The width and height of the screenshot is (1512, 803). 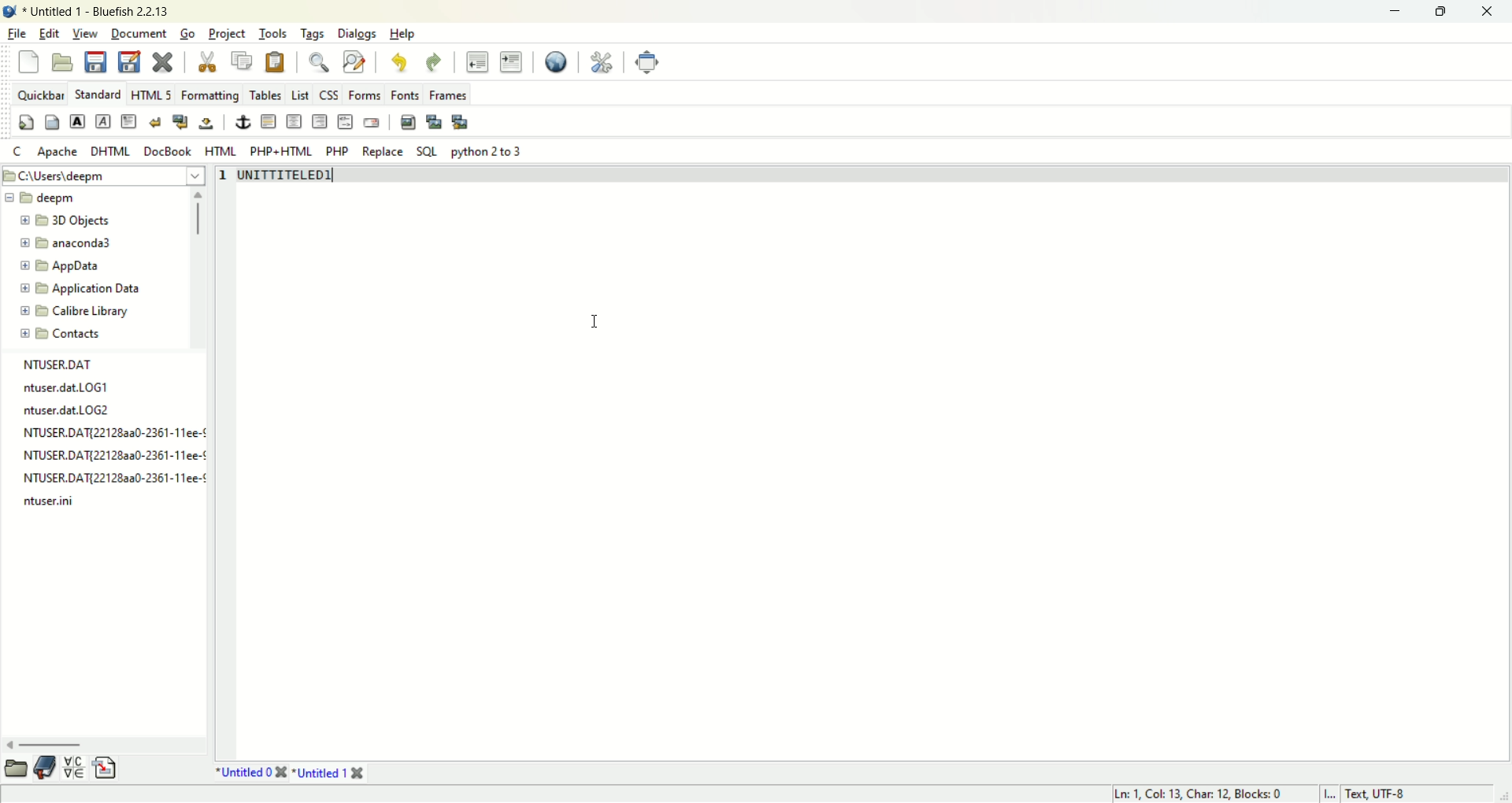 What do you see at coordinates (647, 61) in the screenshot?
I see `fullscreen` at bounding box center [647, 61].